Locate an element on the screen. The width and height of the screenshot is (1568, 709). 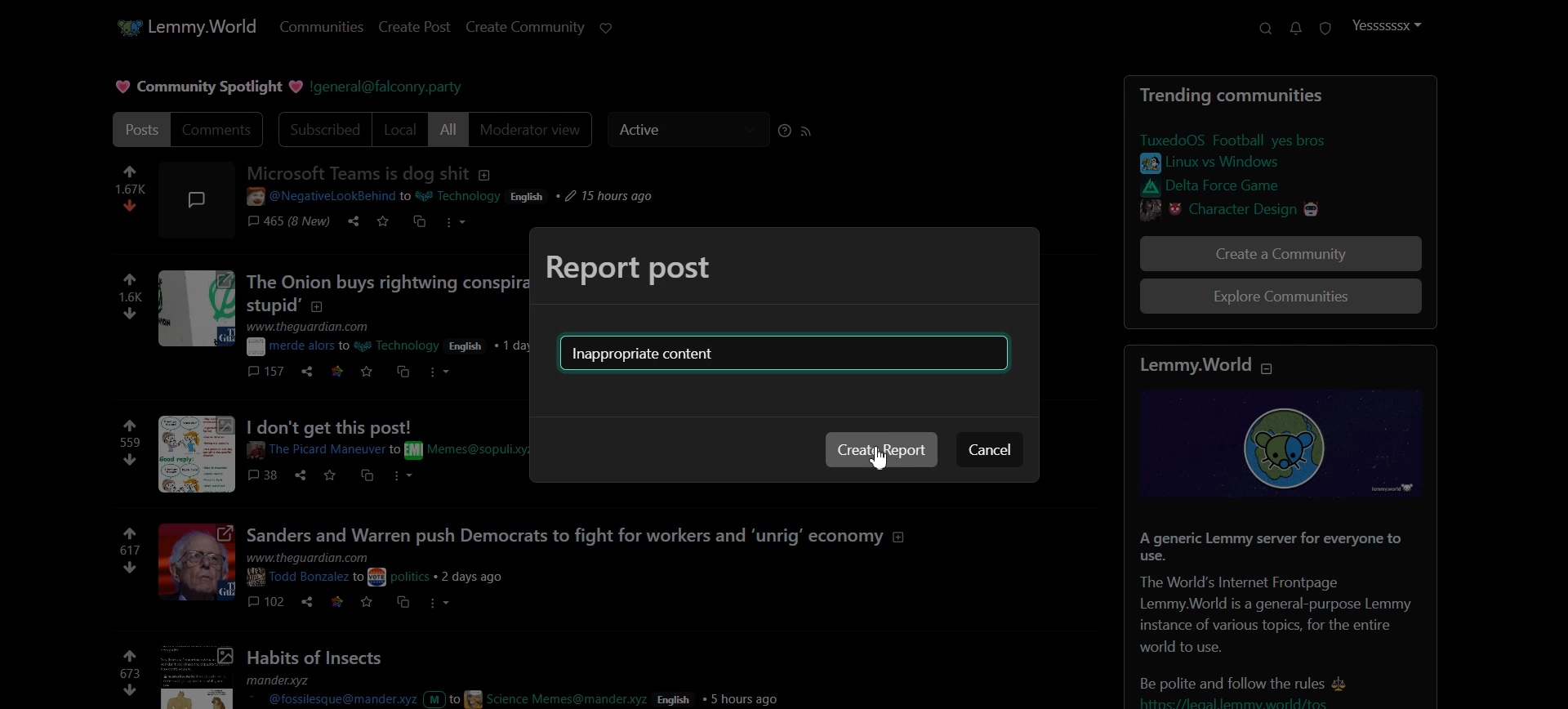
comments is located at coordinates (267, 600).